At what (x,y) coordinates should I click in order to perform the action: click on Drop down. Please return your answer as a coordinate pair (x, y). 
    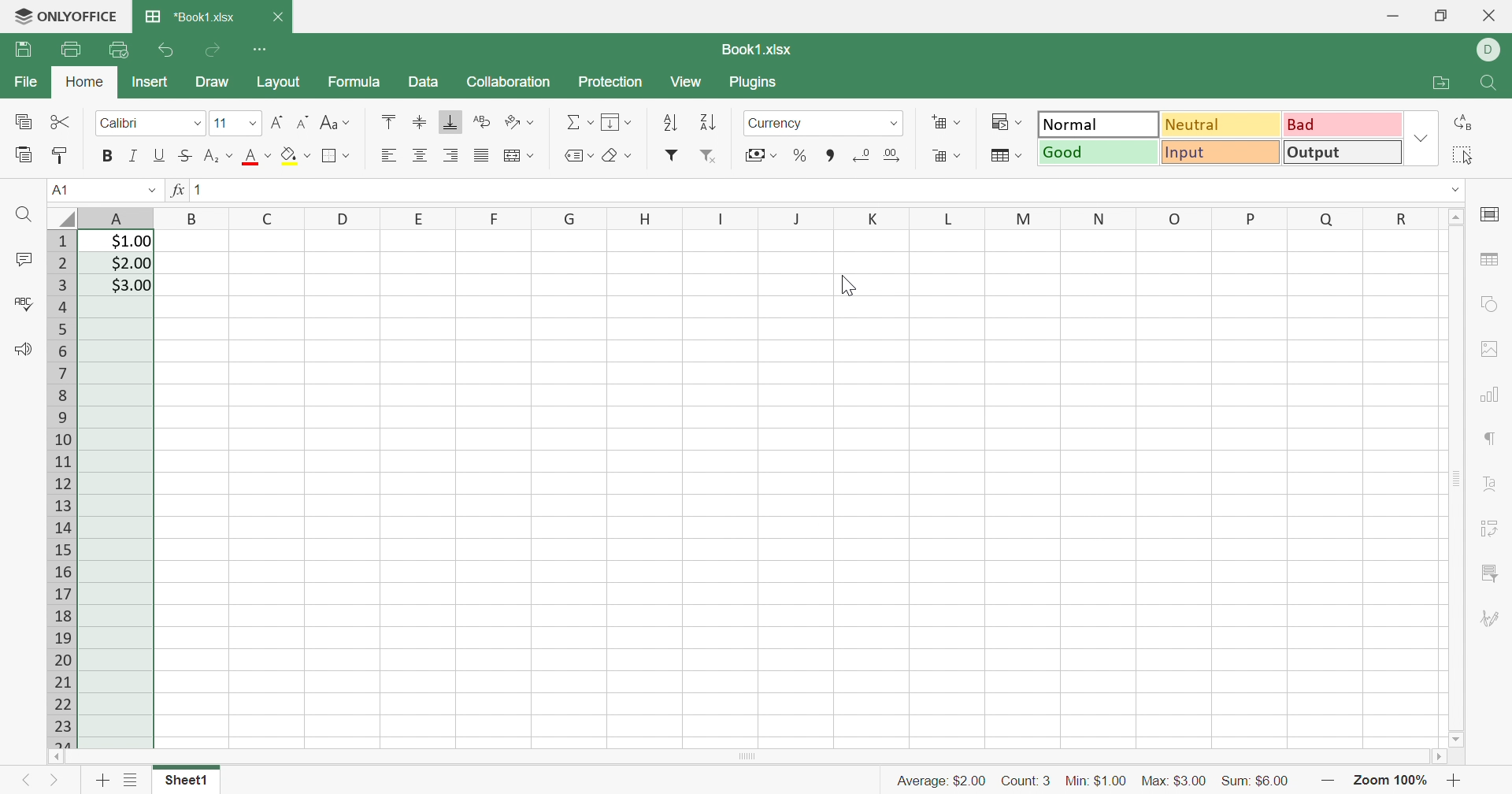
    Looking at the image, I should click on (1458, 190).